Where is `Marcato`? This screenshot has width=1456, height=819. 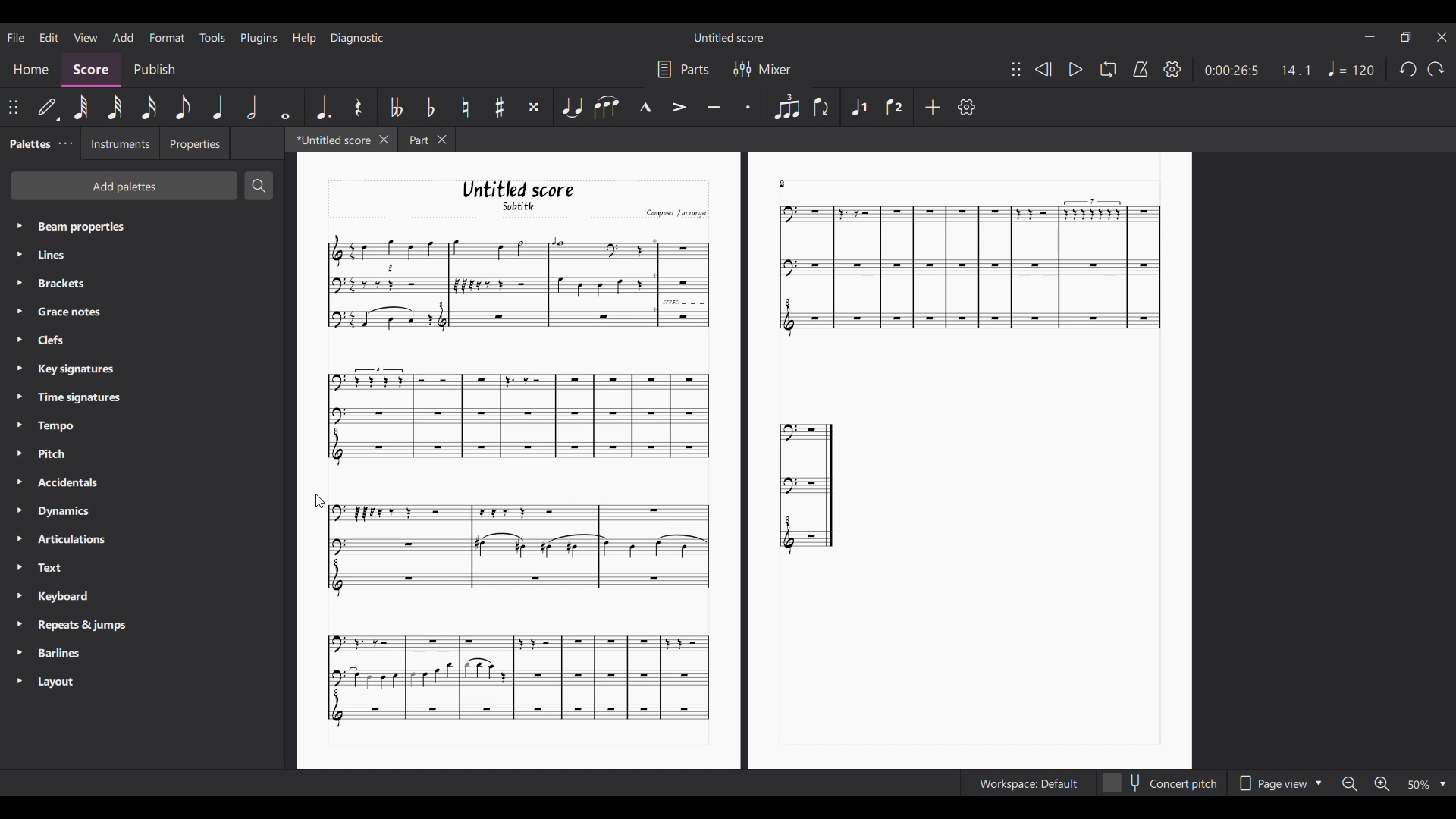
Marcato is located at coordinates (645, 108).